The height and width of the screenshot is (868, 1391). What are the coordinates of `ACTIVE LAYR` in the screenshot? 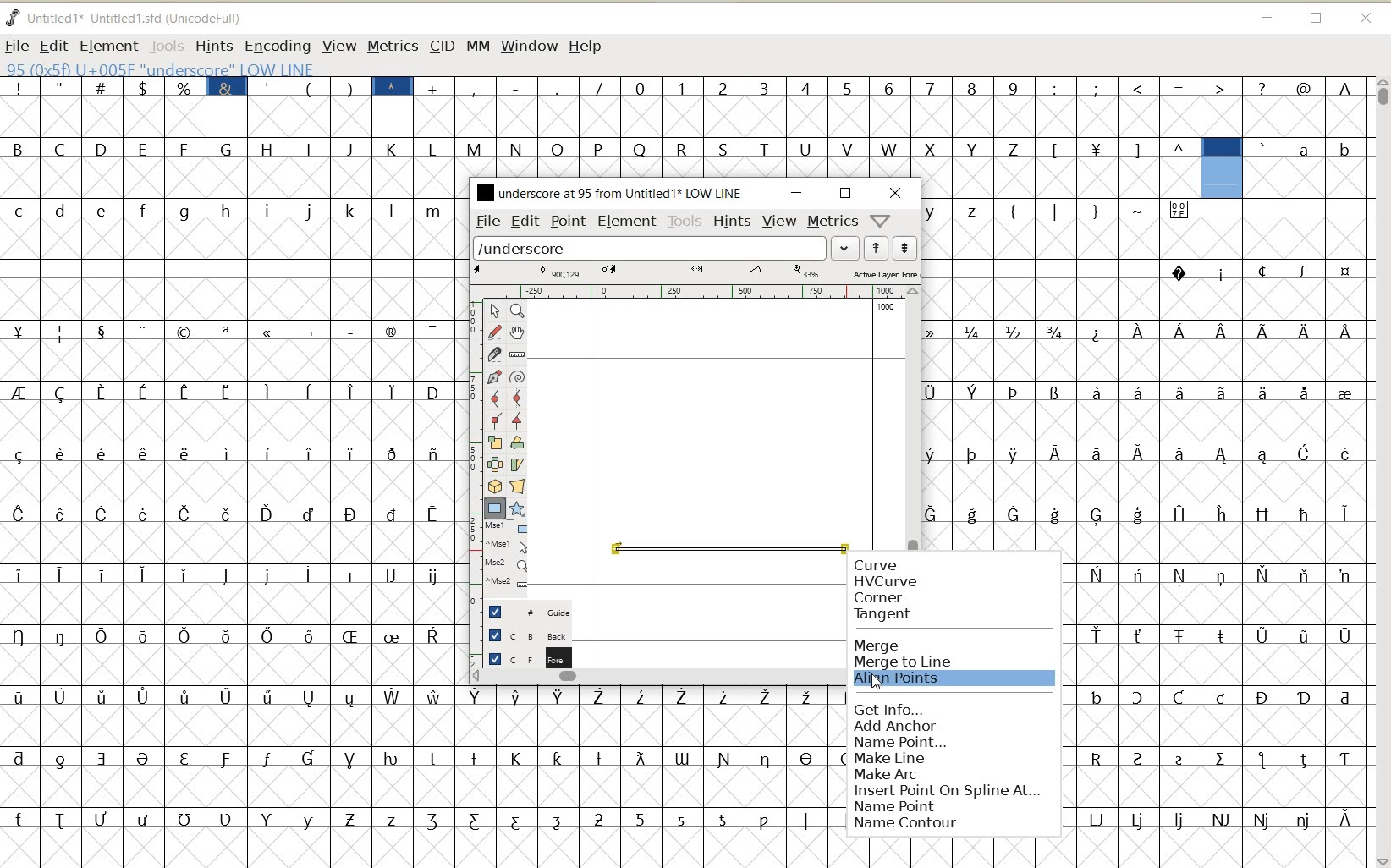 It's located at (695, 272).